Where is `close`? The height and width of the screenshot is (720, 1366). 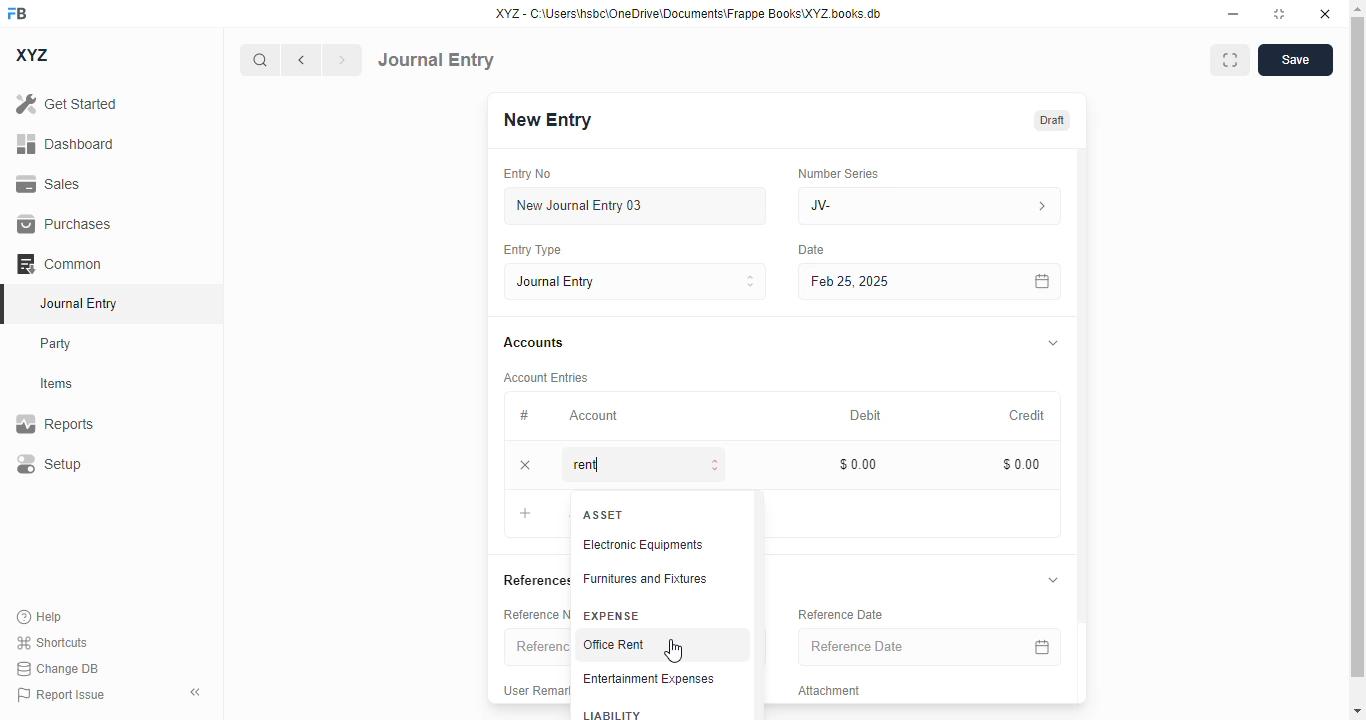
close is located at coordinates (1324, 14).